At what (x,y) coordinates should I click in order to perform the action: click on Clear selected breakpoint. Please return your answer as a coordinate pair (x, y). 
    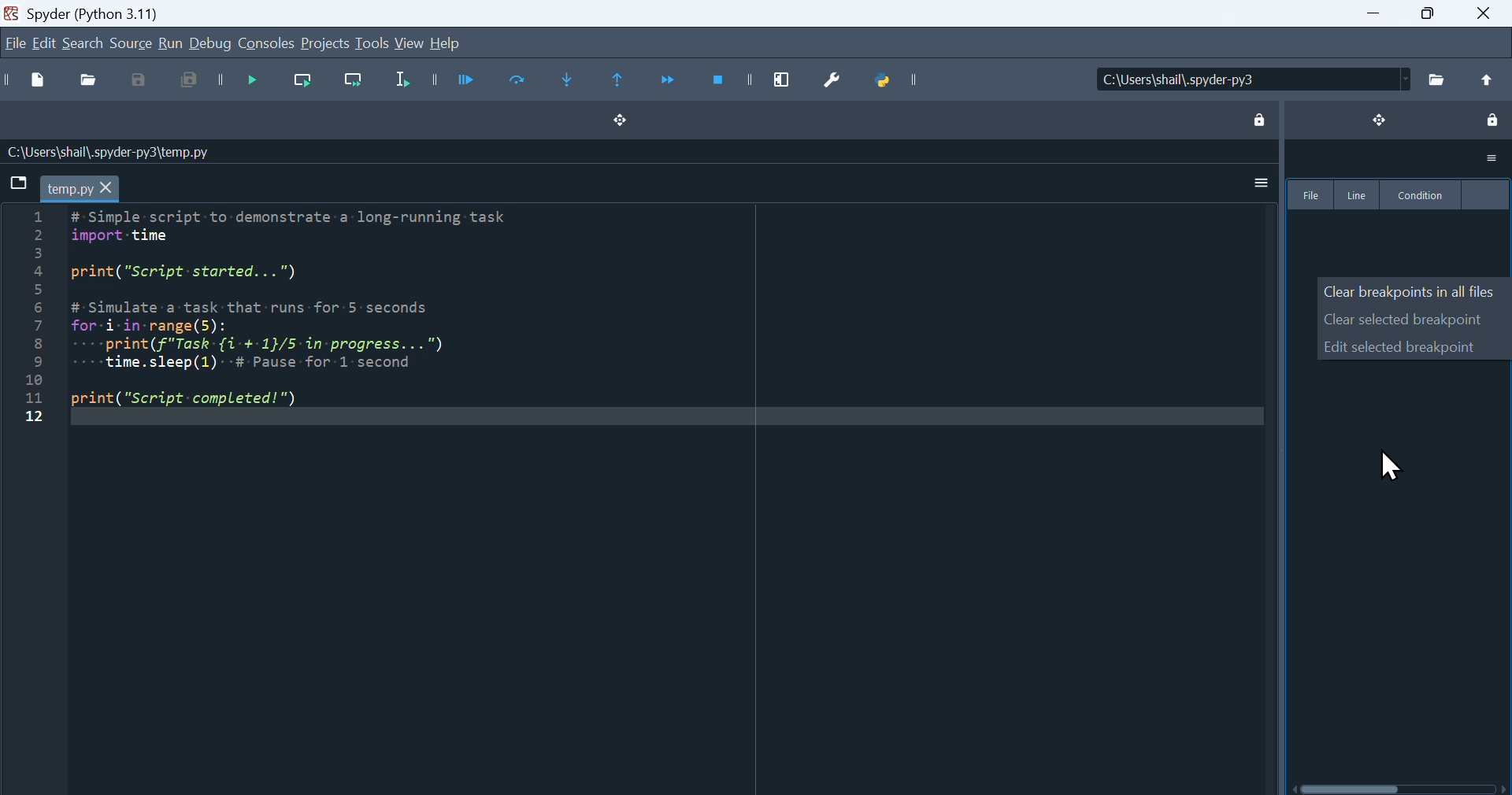
    Looking at the image, I should click on (1405, 319).